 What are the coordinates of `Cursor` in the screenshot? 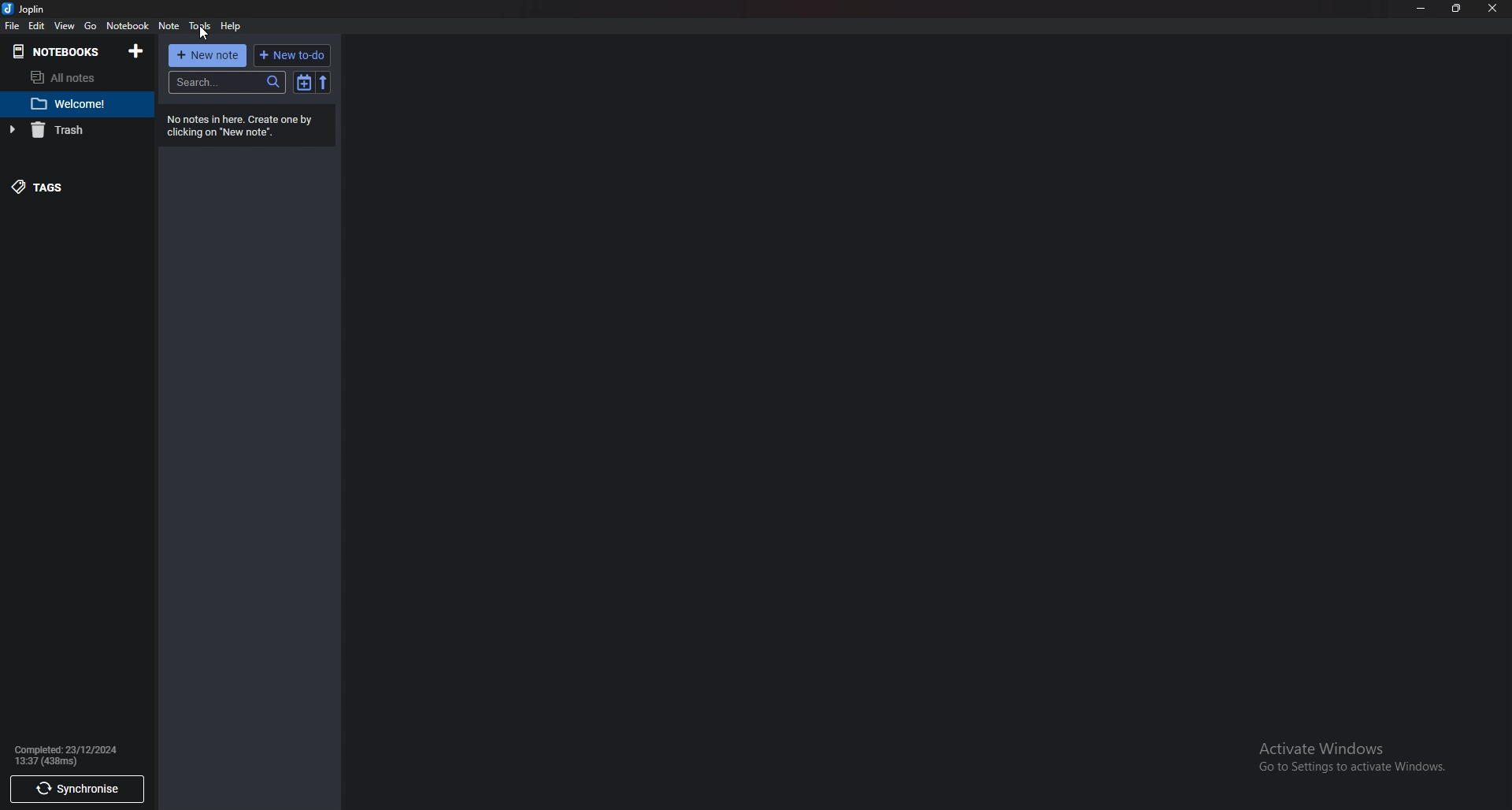 It's located at (201, 36).